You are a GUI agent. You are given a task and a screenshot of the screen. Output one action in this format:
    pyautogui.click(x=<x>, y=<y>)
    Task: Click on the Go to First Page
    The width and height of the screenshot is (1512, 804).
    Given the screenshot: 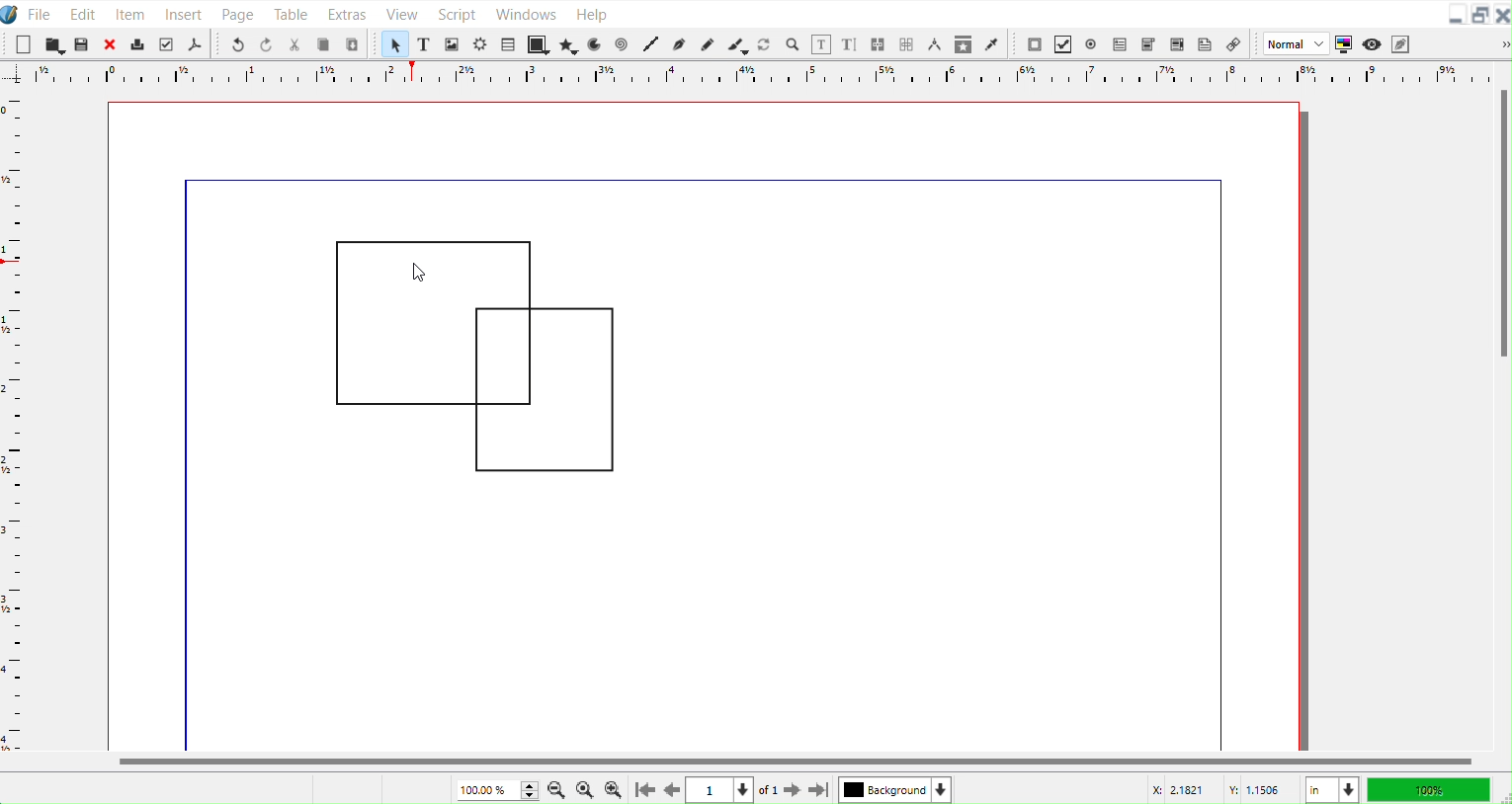 What is the action you would take?
    pyautogui.click(x=643, y=790)
    